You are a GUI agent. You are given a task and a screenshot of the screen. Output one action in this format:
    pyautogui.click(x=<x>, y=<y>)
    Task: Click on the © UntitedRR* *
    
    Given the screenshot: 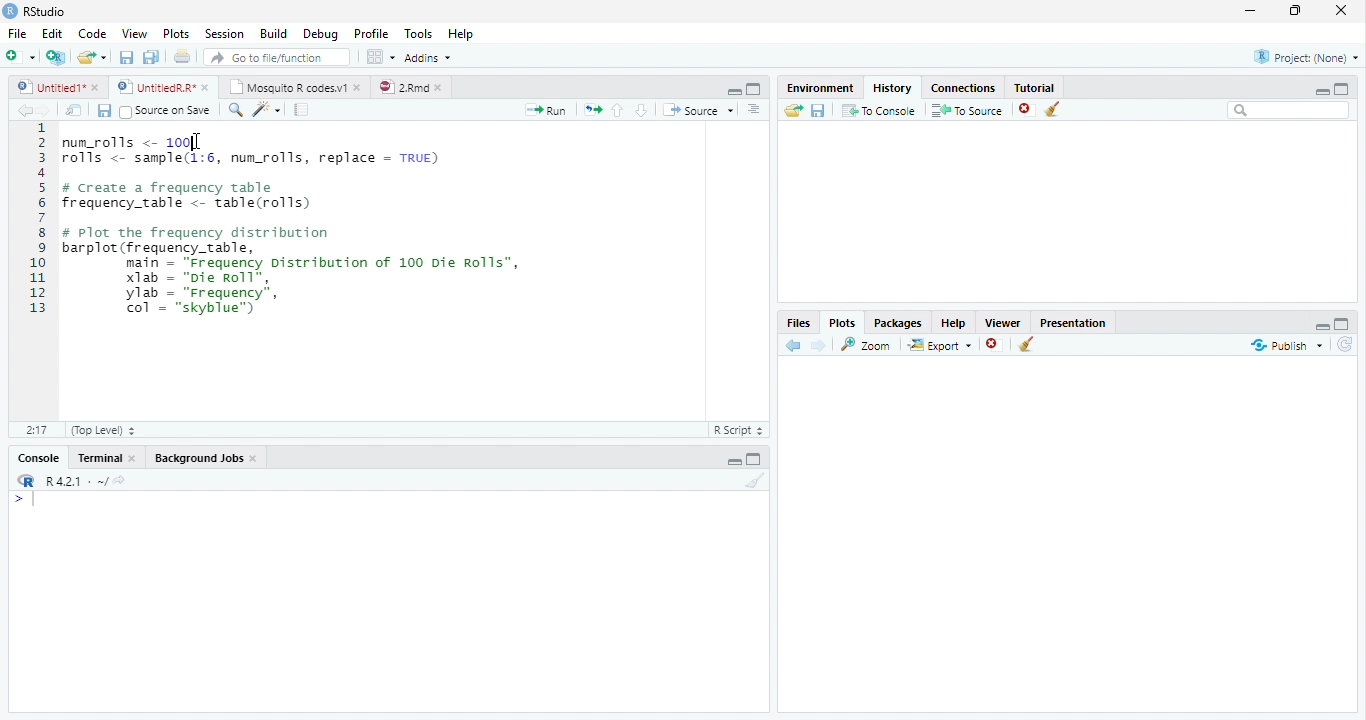 What is the action you would take?
    pyautogui.click(x=165, y=87)
    